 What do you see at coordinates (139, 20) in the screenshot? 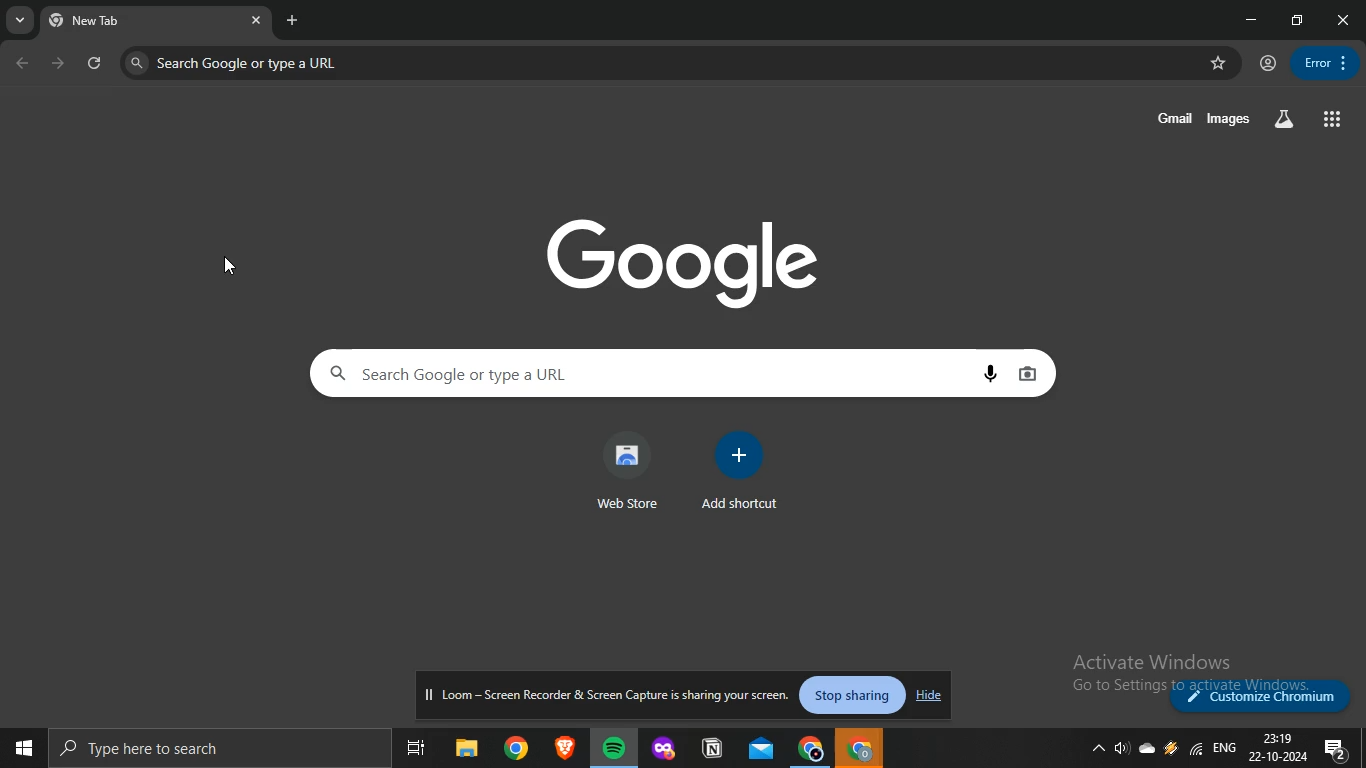
I see `current tab` at bounding box center [139, 20].